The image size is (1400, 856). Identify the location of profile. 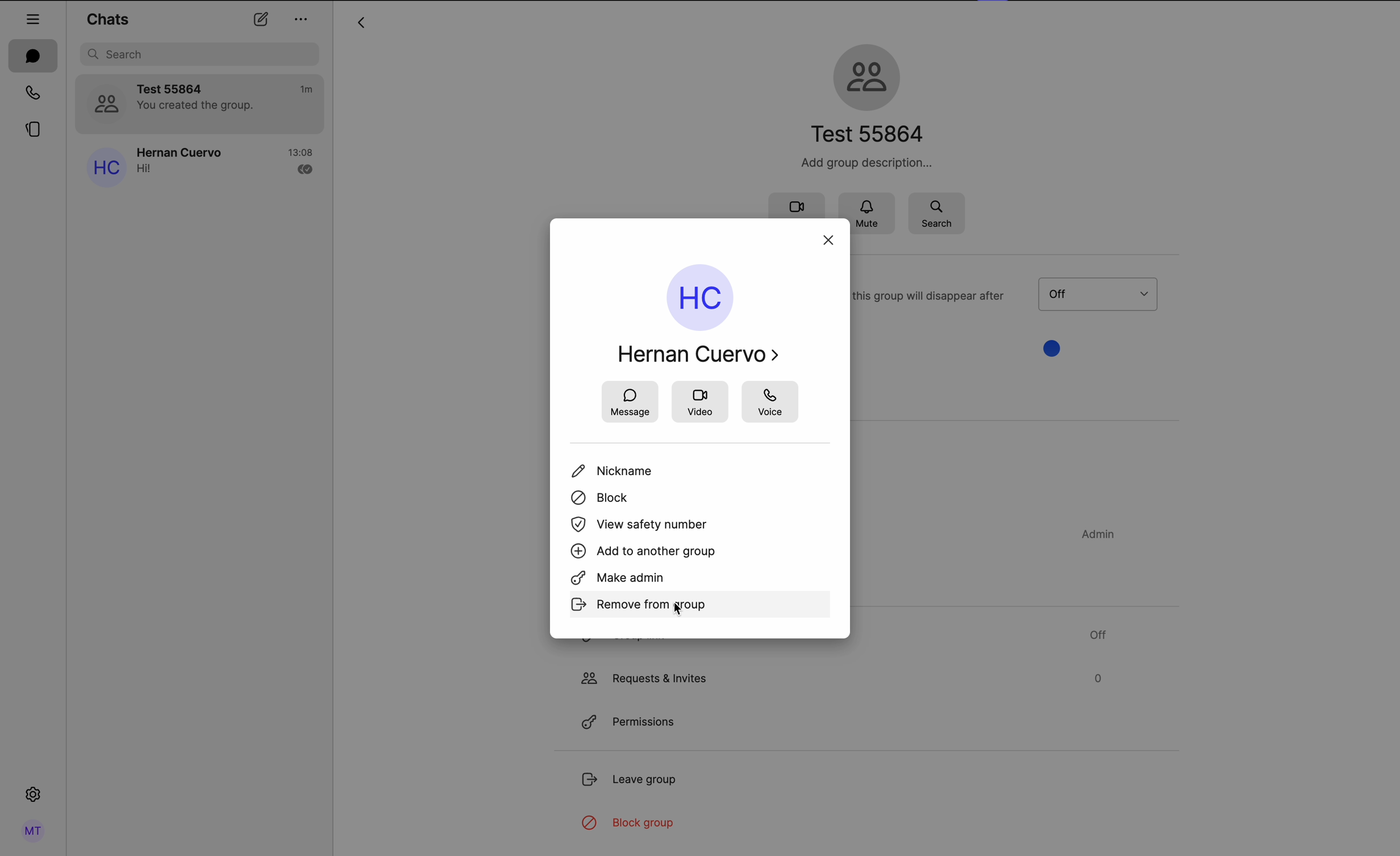
(31, 831).